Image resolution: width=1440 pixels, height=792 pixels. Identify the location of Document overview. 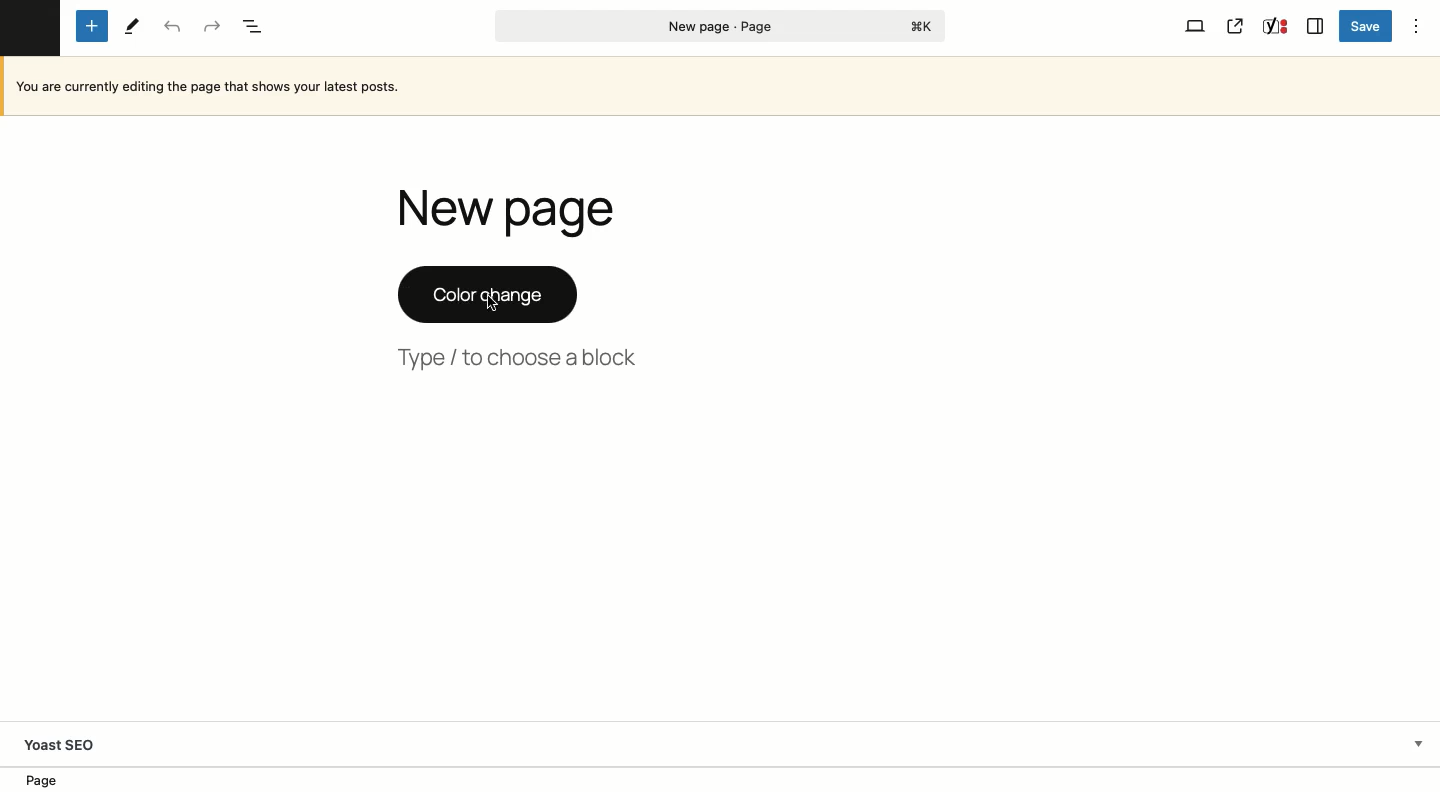
(256, 28).